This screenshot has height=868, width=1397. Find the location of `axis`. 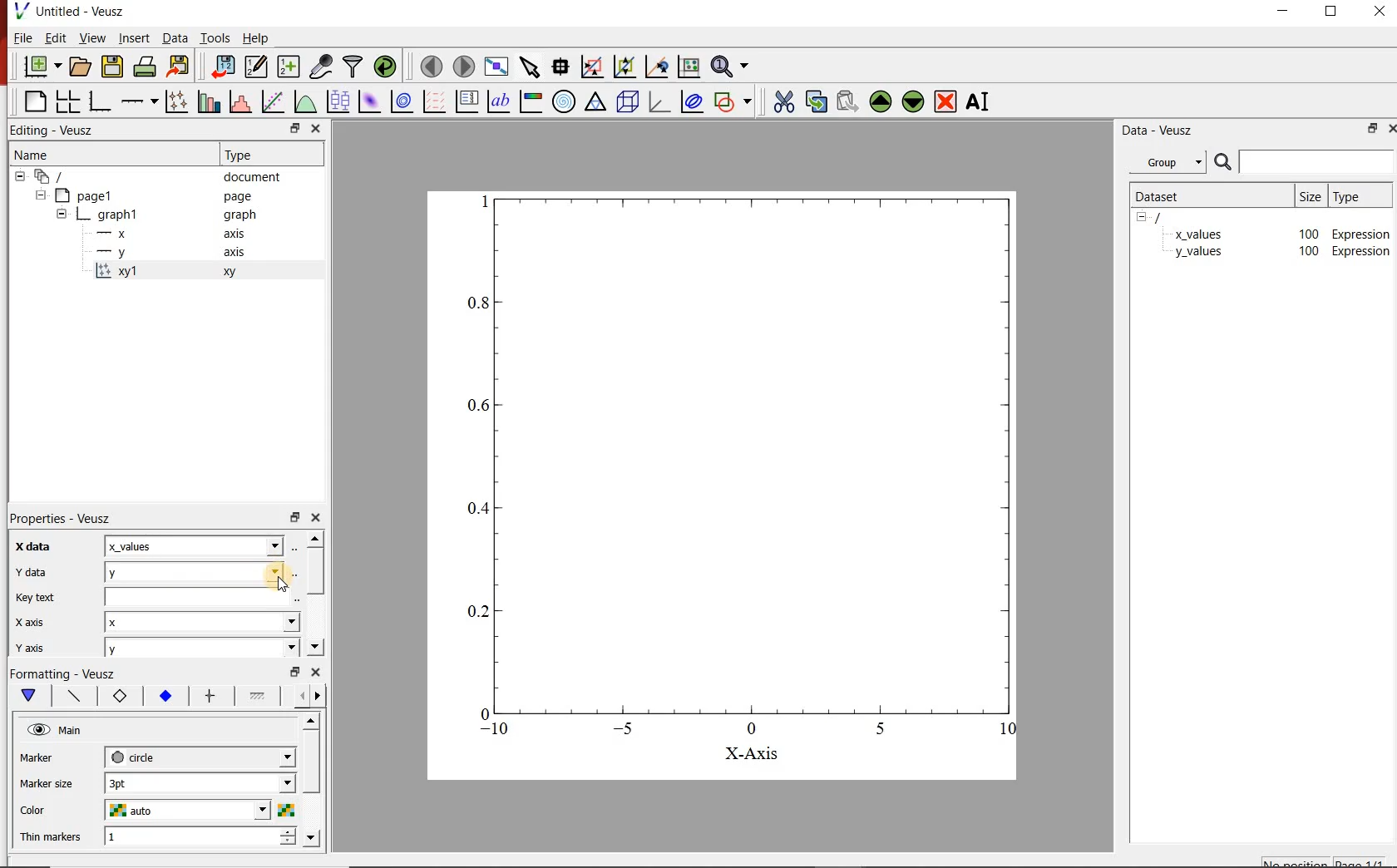

axis is located at coordinates (234, 253).